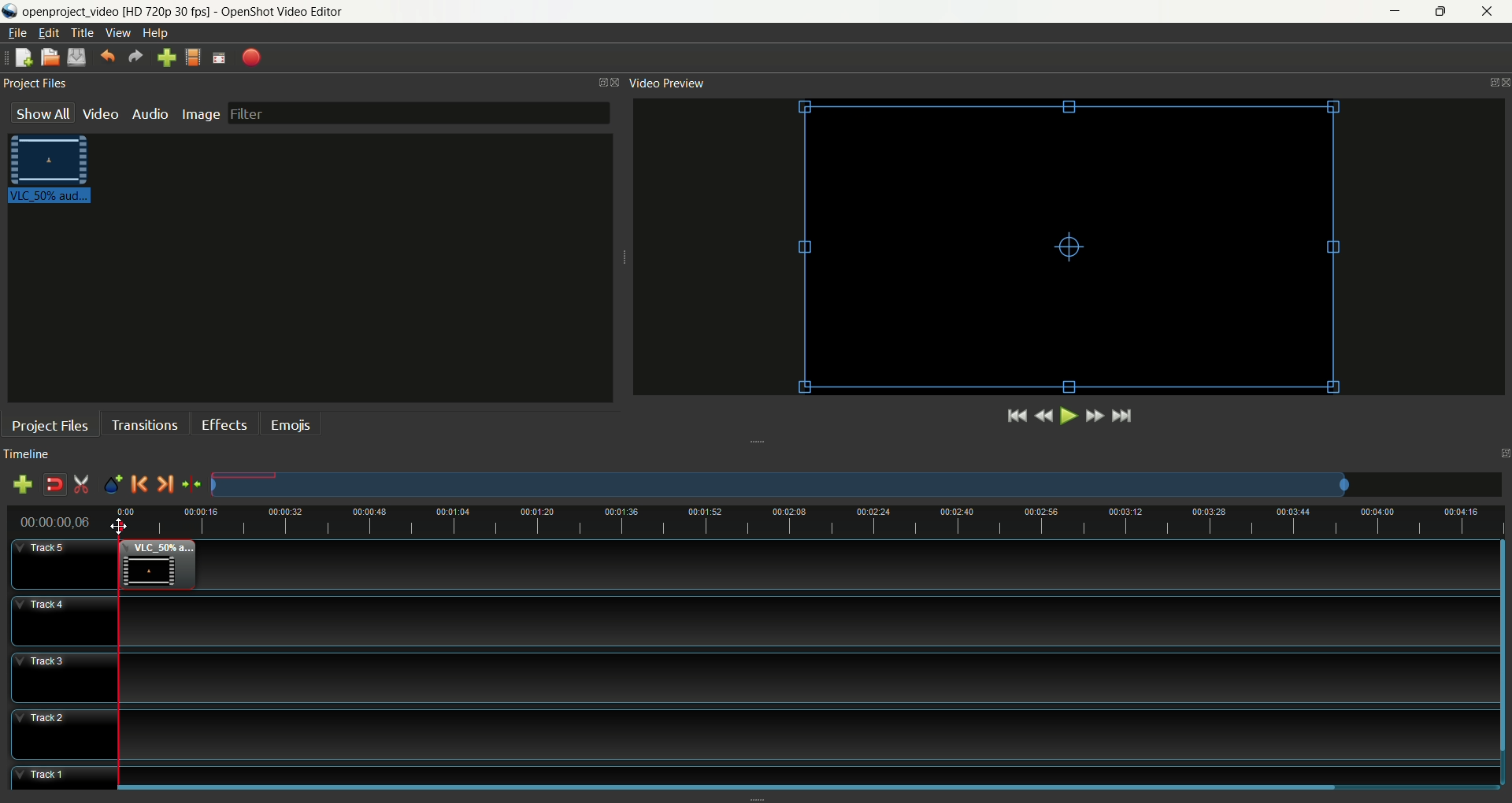 This screenshot has height=803, width=1512. What do you see at coordinates (24, 57) in the screenshot?
I see `new project` at bounding box center [24, 57].